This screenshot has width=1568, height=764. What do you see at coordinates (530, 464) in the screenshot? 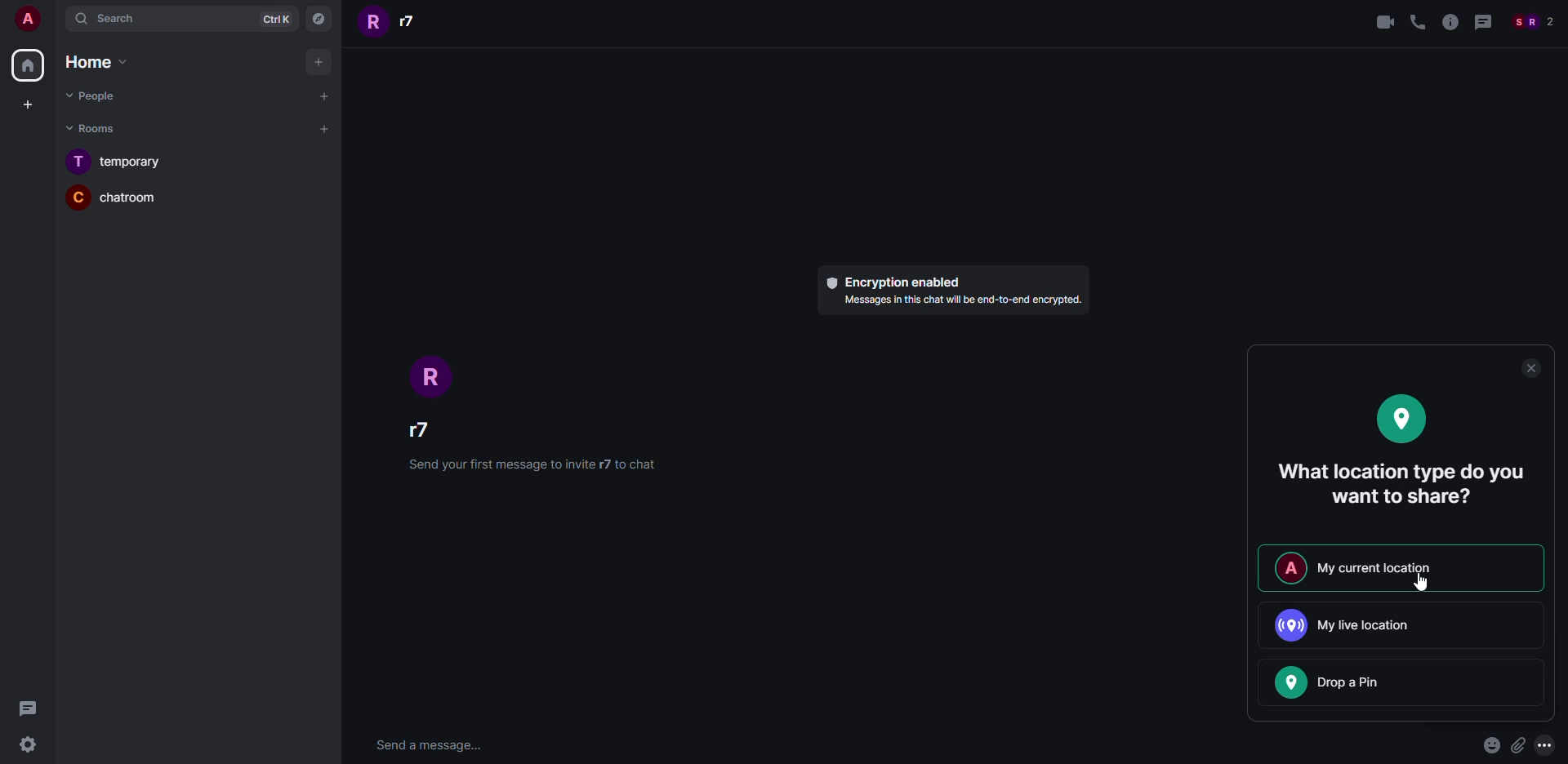
I see `text` at bounding box center [530, 464].